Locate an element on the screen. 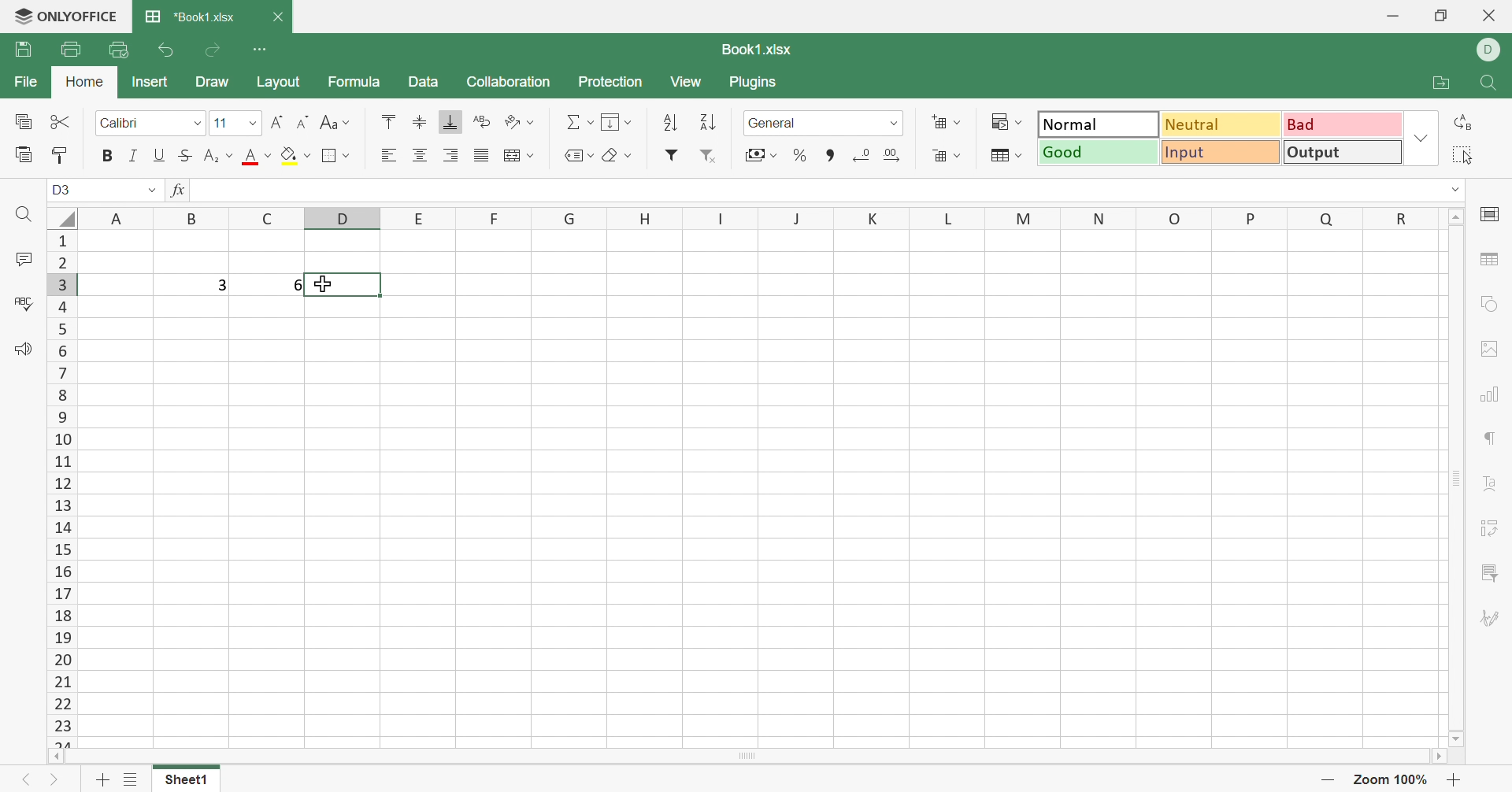 The width and height of the screenshot is (1512, 792). Justified is located at coordinates (481, 156).